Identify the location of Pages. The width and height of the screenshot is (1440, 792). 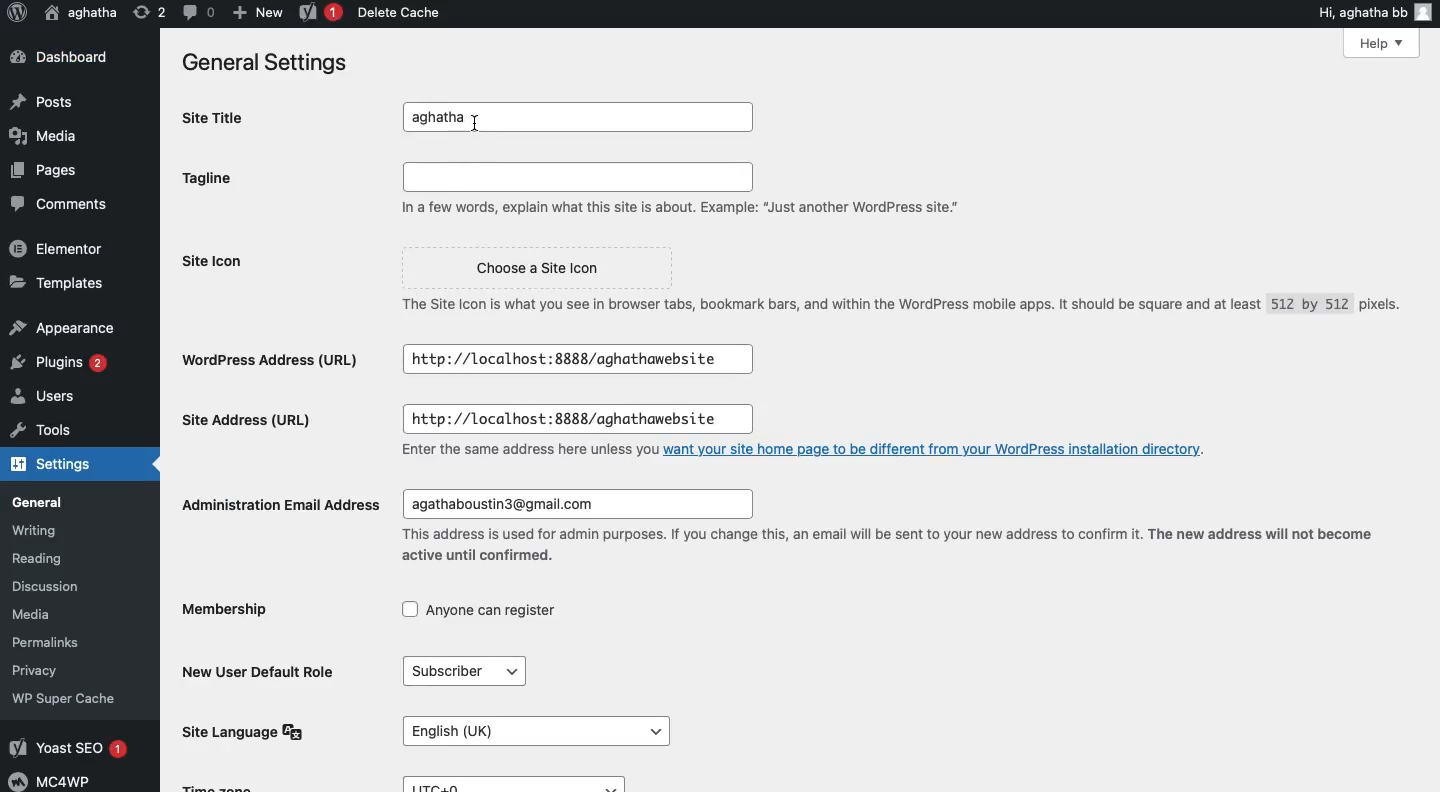
(44, 168).